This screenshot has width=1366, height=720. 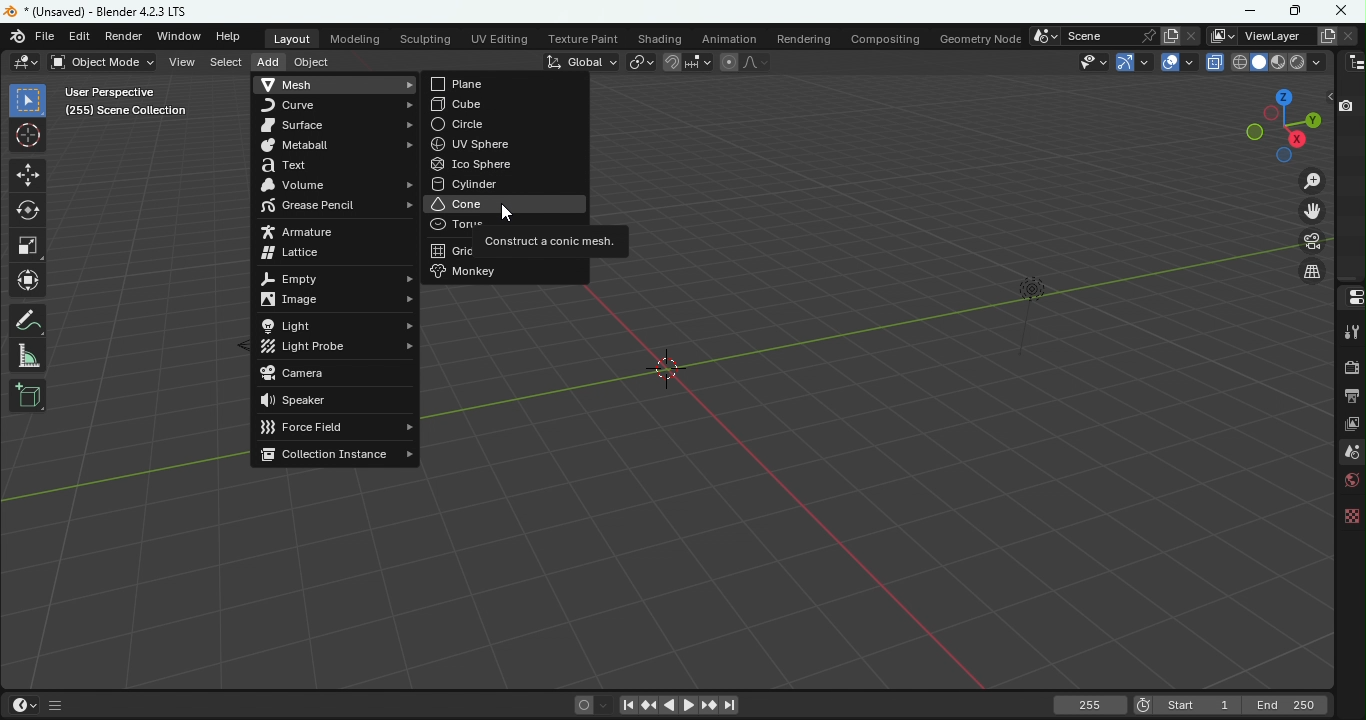 What do you see at coordinates (225, 63) in the screenshot?
I see `Select` at bounding box center [225, 63].